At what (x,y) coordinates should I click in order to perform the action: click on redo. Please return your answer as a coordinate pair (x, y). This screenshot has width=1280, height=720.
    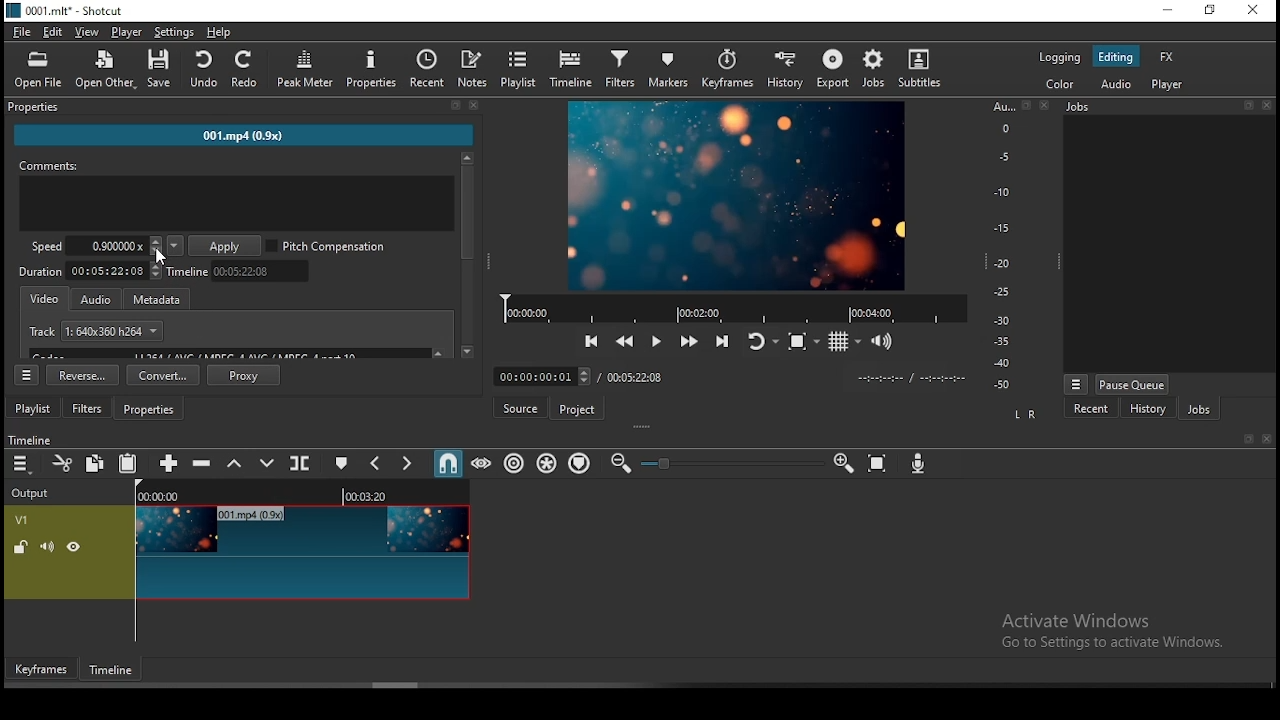
    Looking at the image, I should click on (248, 69).